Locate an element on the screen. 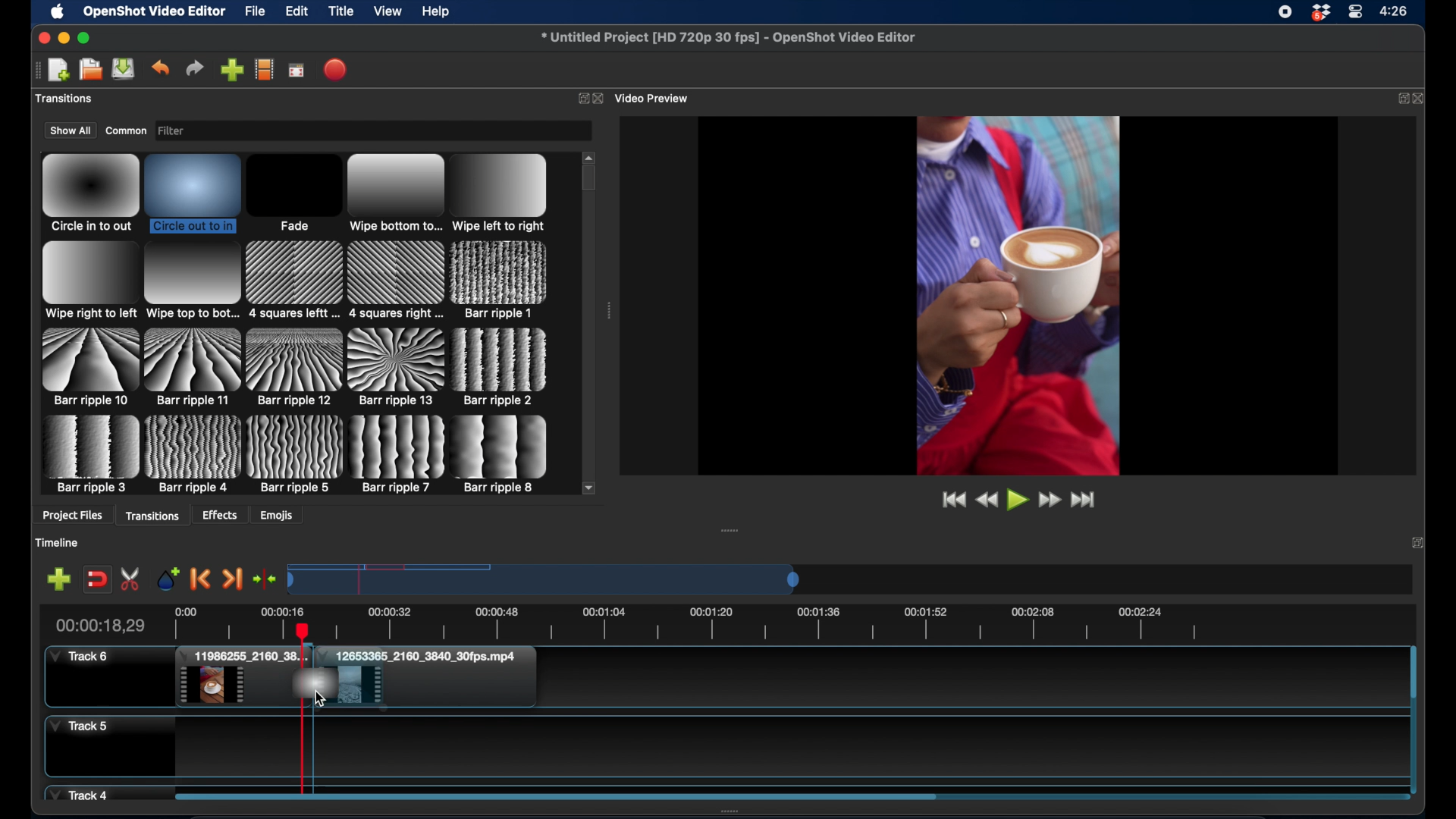 The width and height of the screenshot is (1456, 819). clip is located at coordinates (431, 678).